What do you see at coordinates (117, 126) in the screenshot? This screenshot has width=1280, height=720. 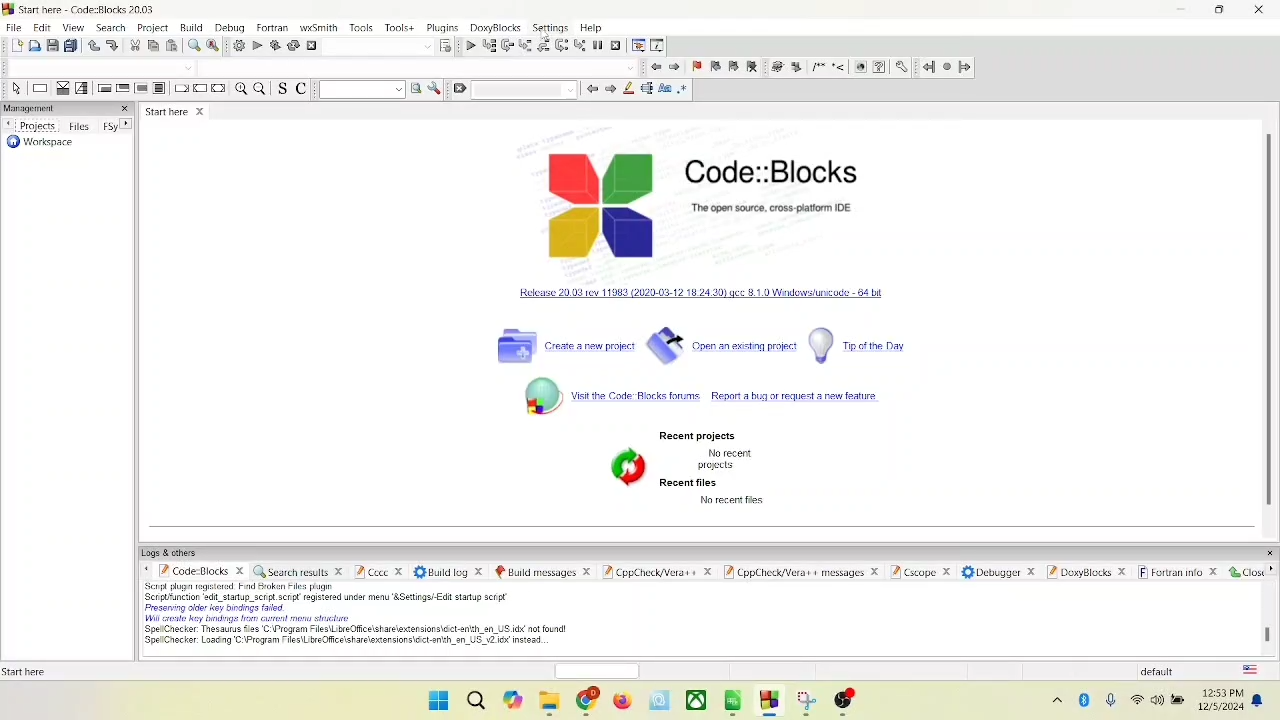 I see `Fsy` at bounding box center [117, 126].